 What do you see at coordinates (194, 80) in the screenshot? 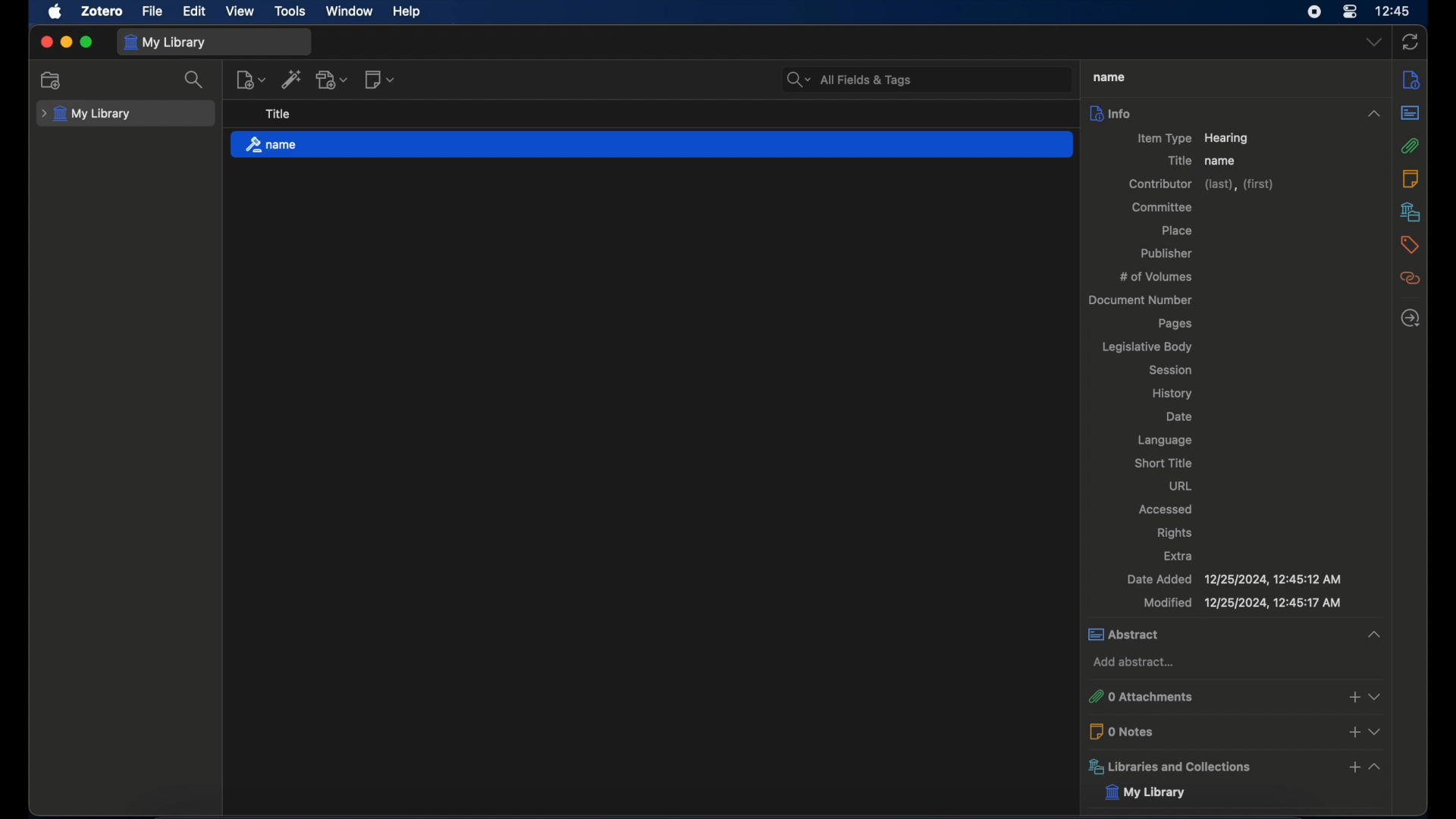
I see `search` at bounding box center [194, 80].